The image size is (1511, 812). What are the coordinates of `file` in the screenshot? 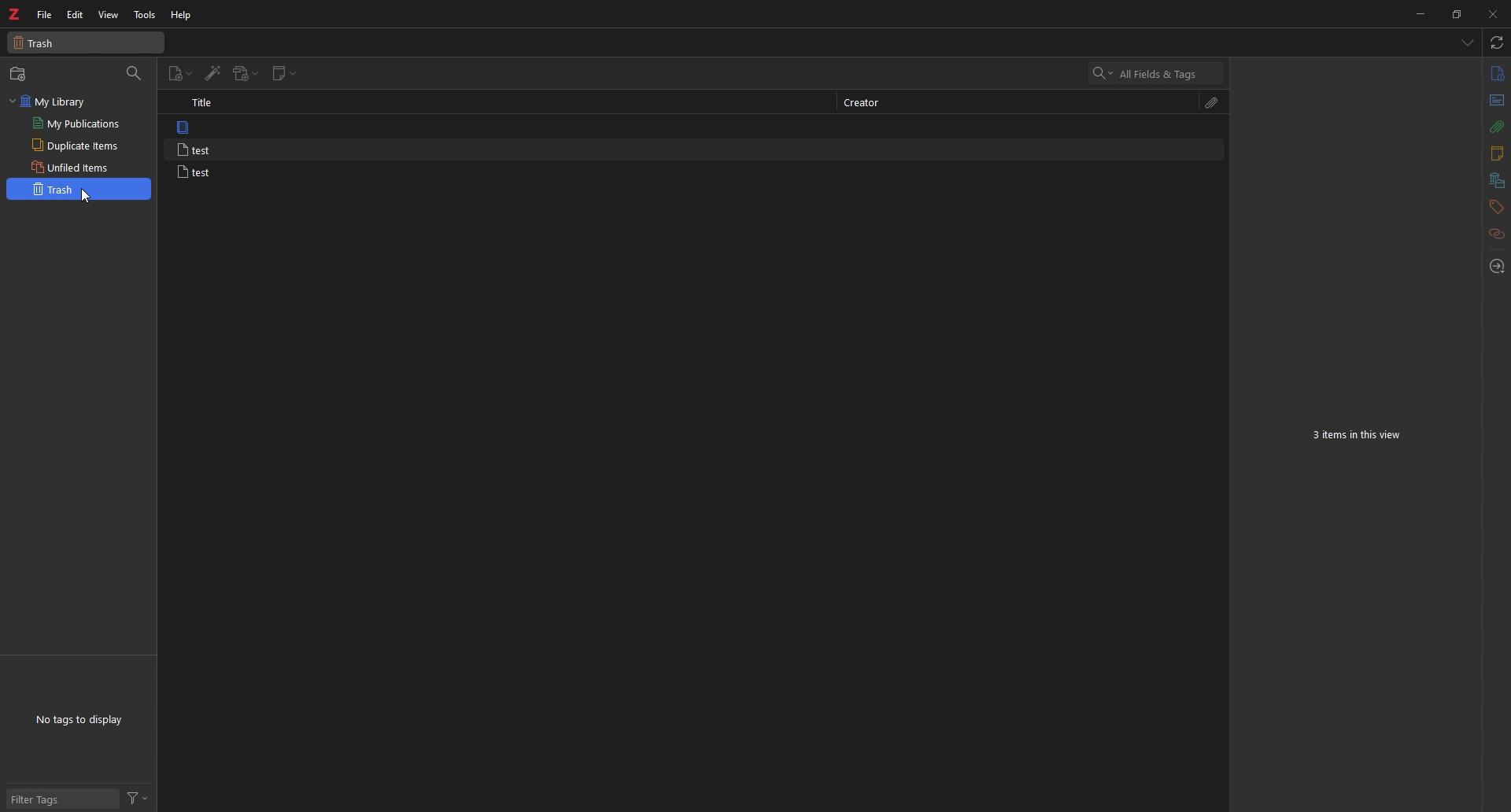 It's located at (43, 16).